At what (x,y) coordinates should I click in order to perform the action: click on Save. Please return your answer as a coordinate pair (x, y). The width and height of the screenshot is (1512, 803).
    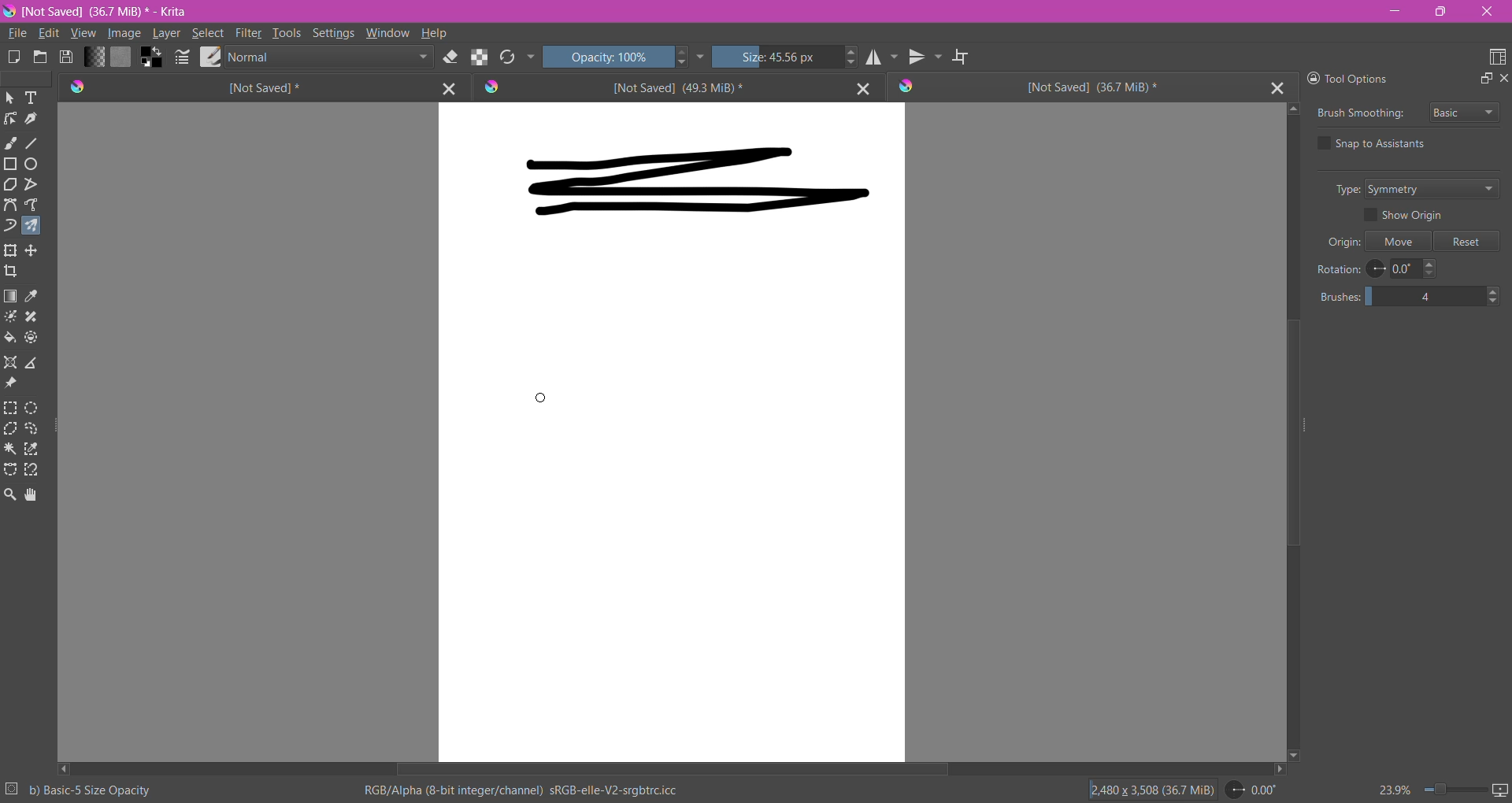
    Looking at the image, I should click on (67, 58).